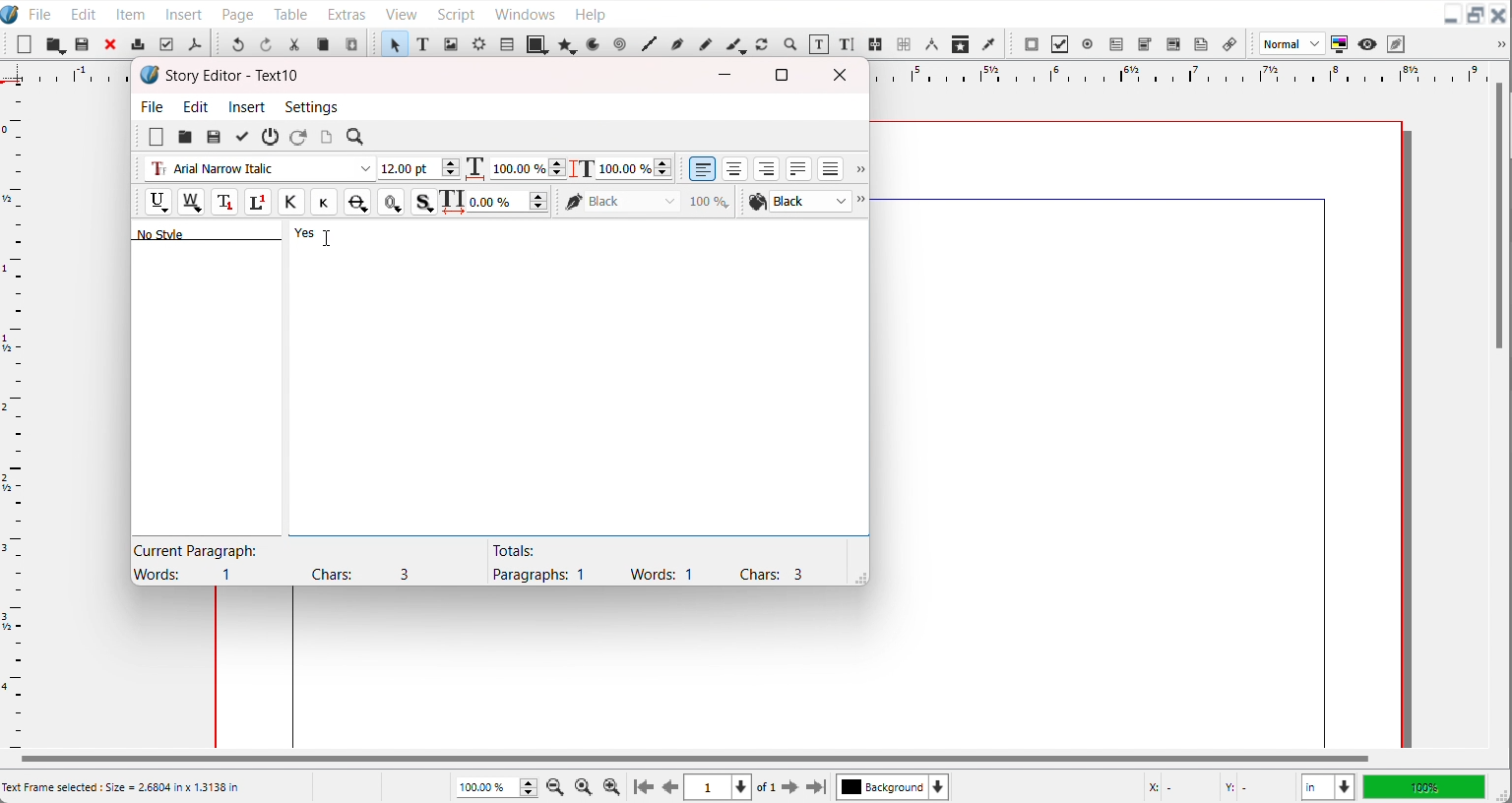  Describe the element at coordinates (858, 170) in the screenshot. I see `Drop down box` at that location.